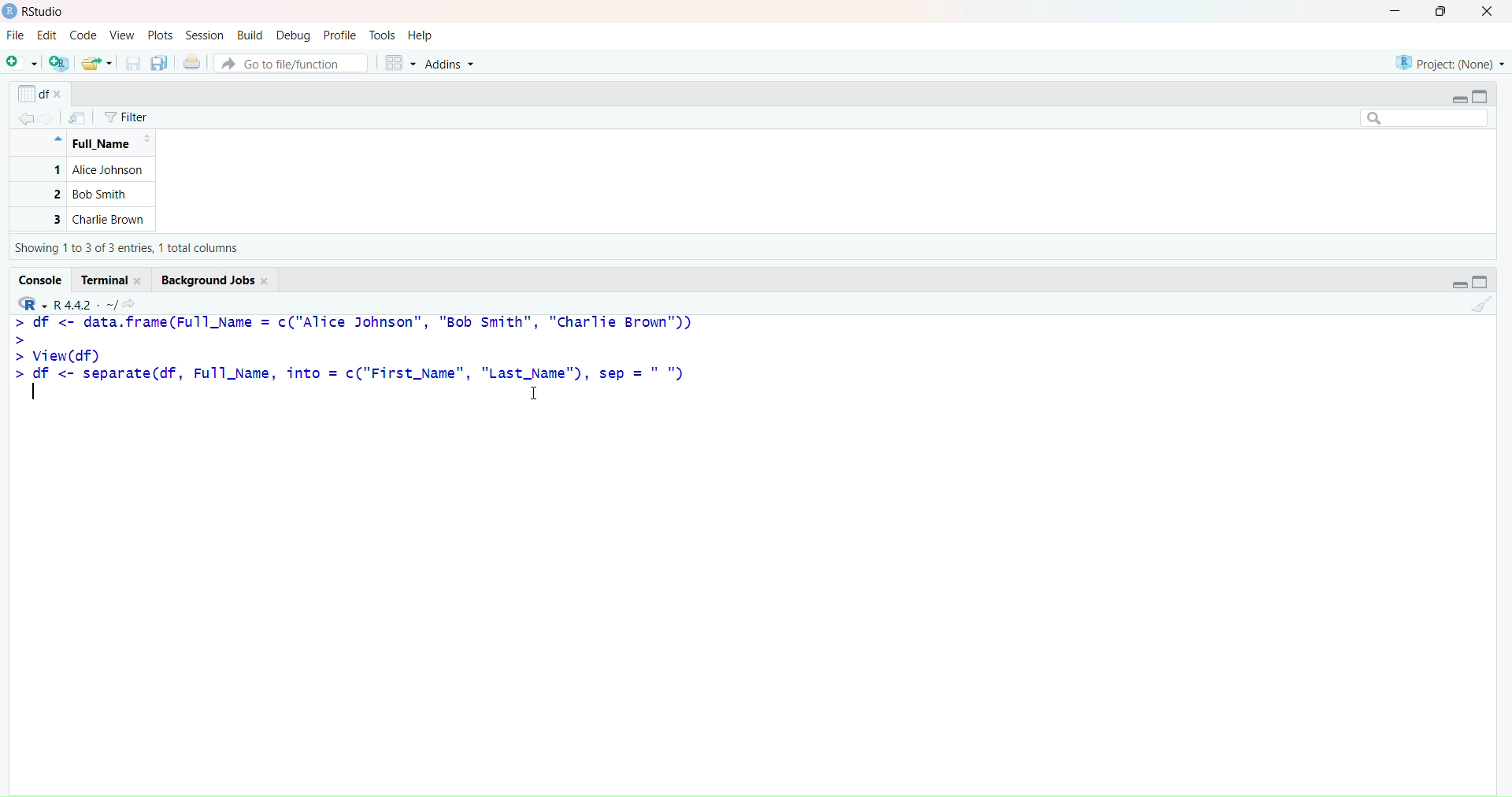 The width and height of the screenshot is (1512, 797). I want to click on Create a project, so click(60, 63).